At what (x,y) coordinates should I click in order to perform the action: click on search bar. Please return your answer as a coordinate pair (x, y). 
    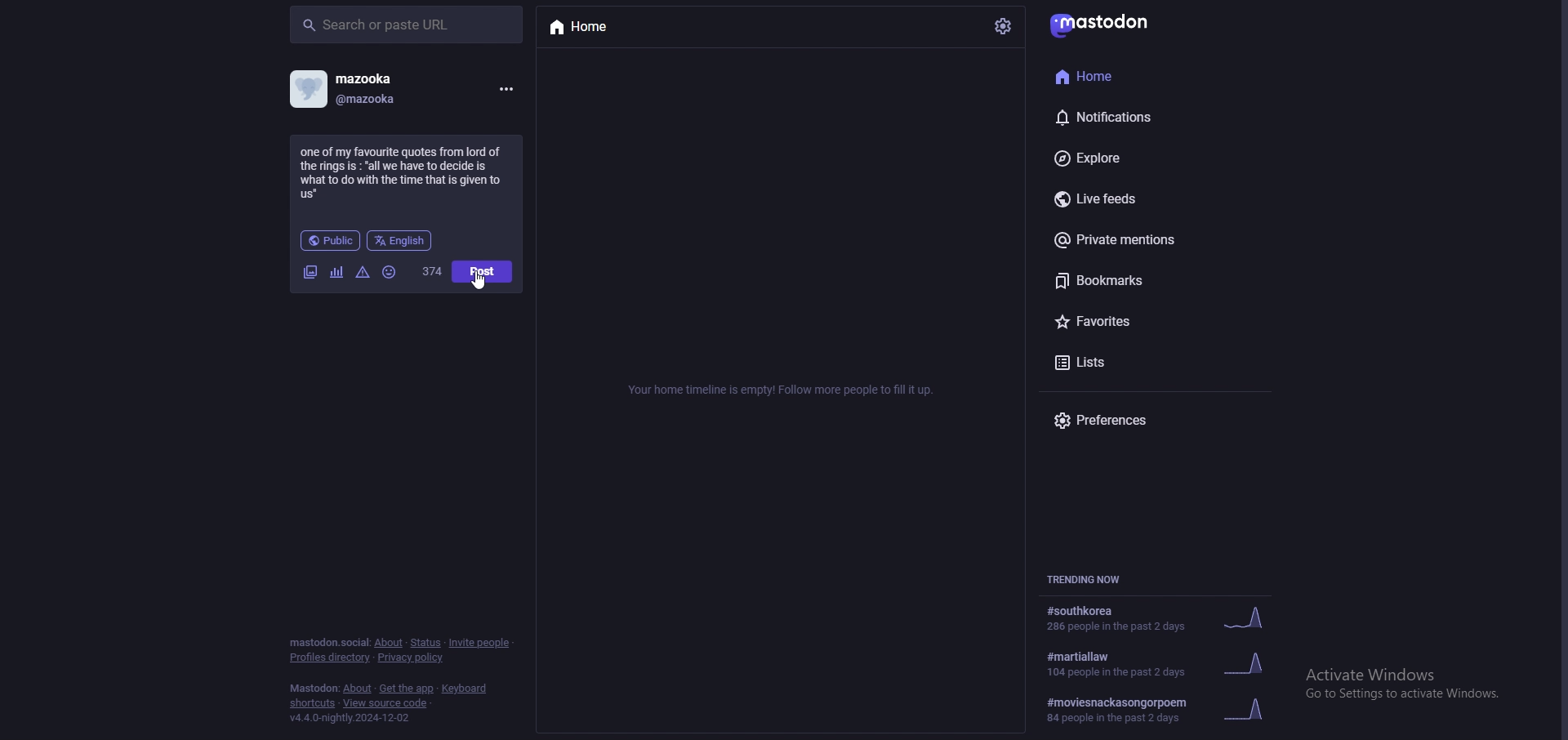
    Looking at the image, I should click on (407, 25).